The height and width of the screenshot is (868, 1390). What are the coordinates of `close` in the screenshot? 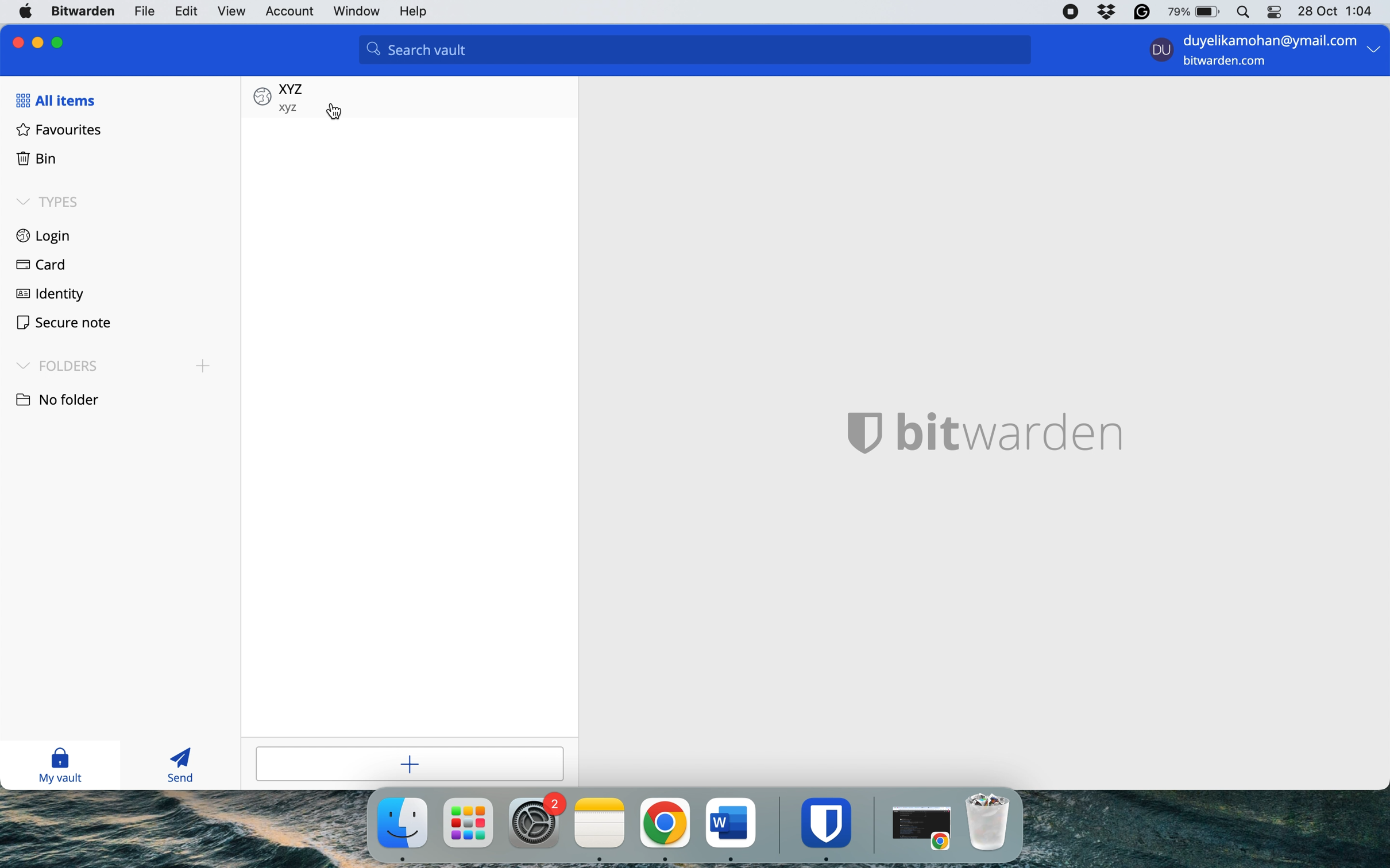 It's located at (15, 41).